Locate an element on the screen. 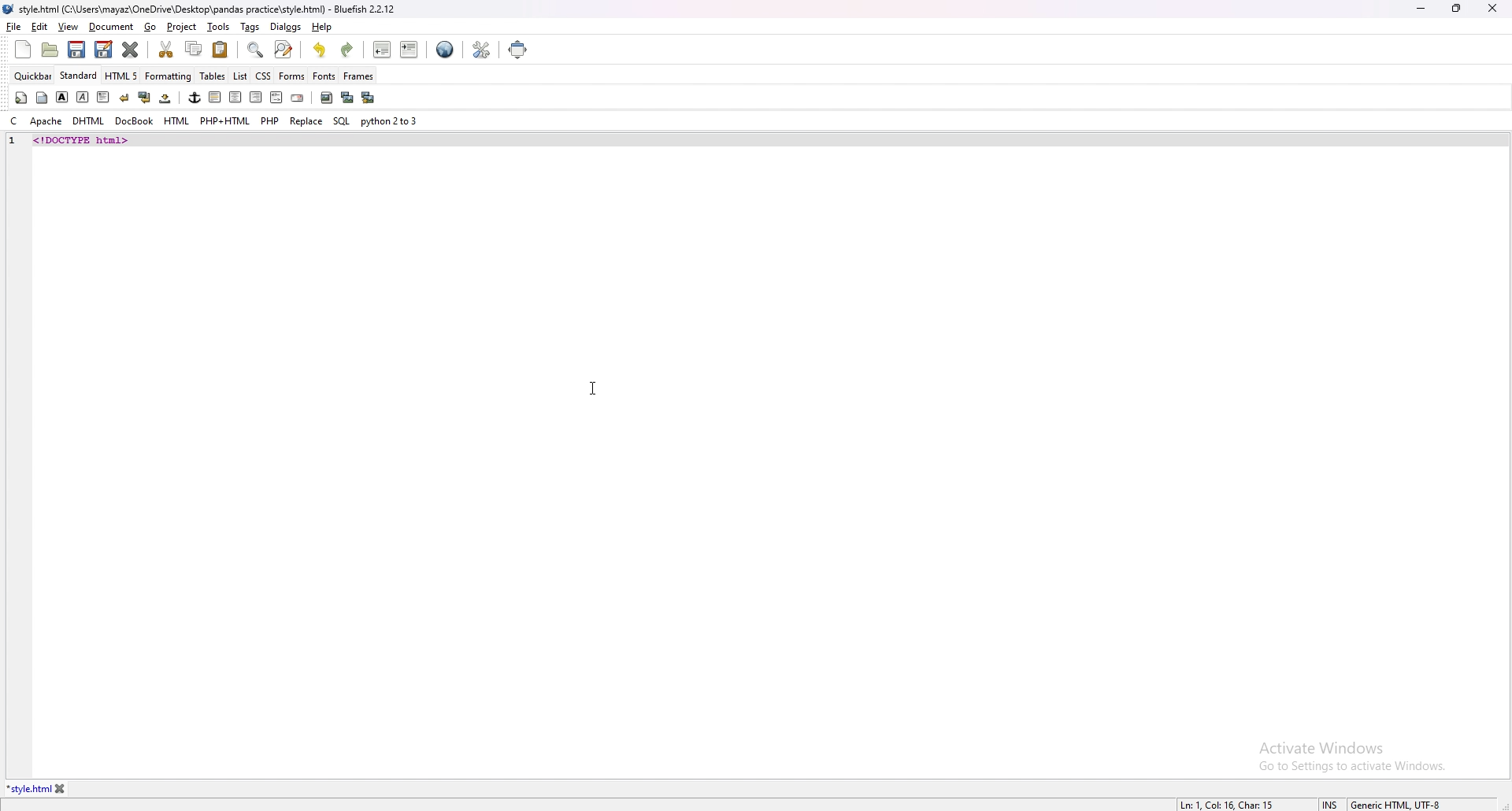 The image size is (1512, 811). encoding is located at coordinates (1395, 803).